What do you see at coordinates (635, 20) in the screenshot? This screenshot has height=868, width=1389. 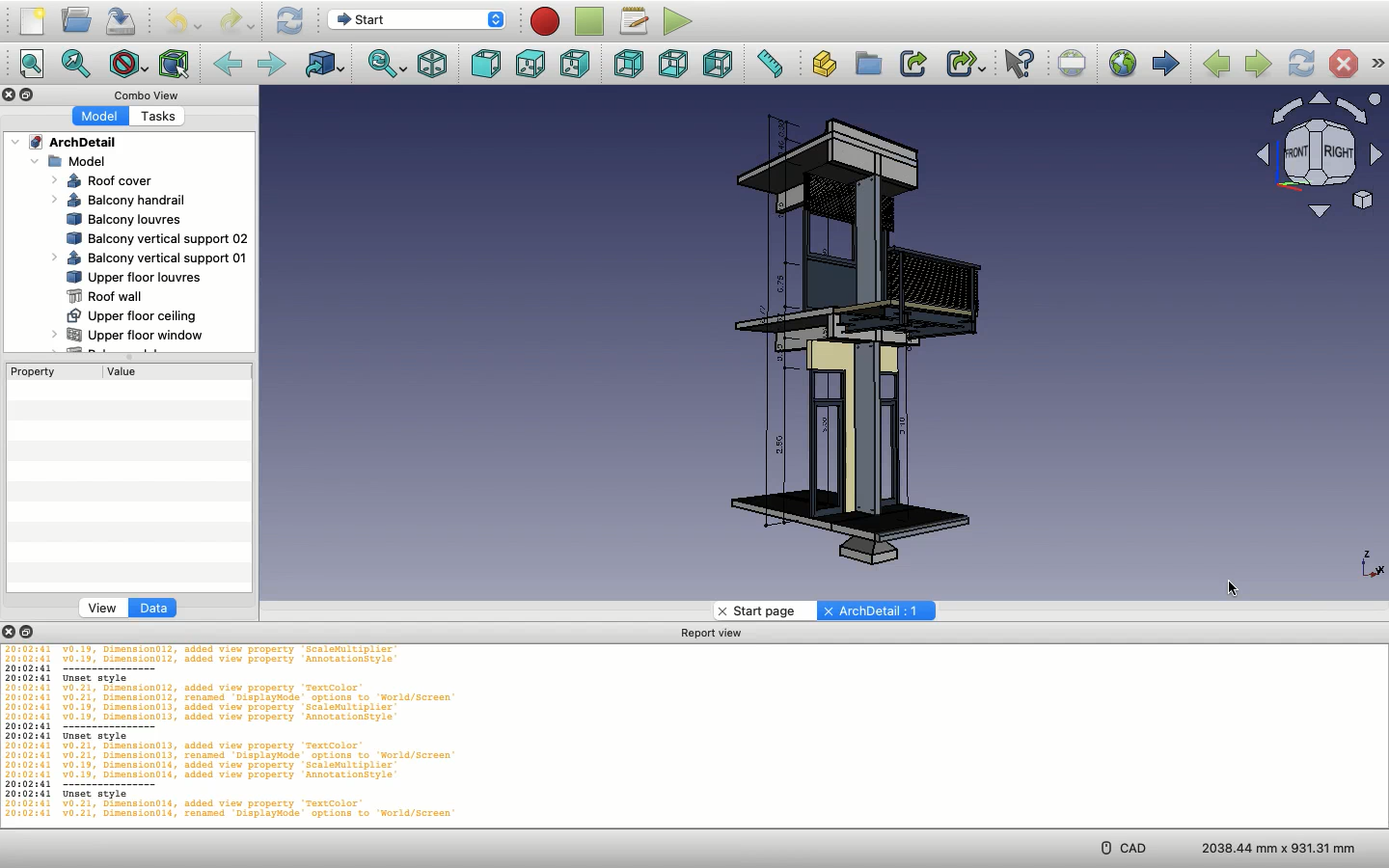 I see `Macros` at bounding box center [635, 20].